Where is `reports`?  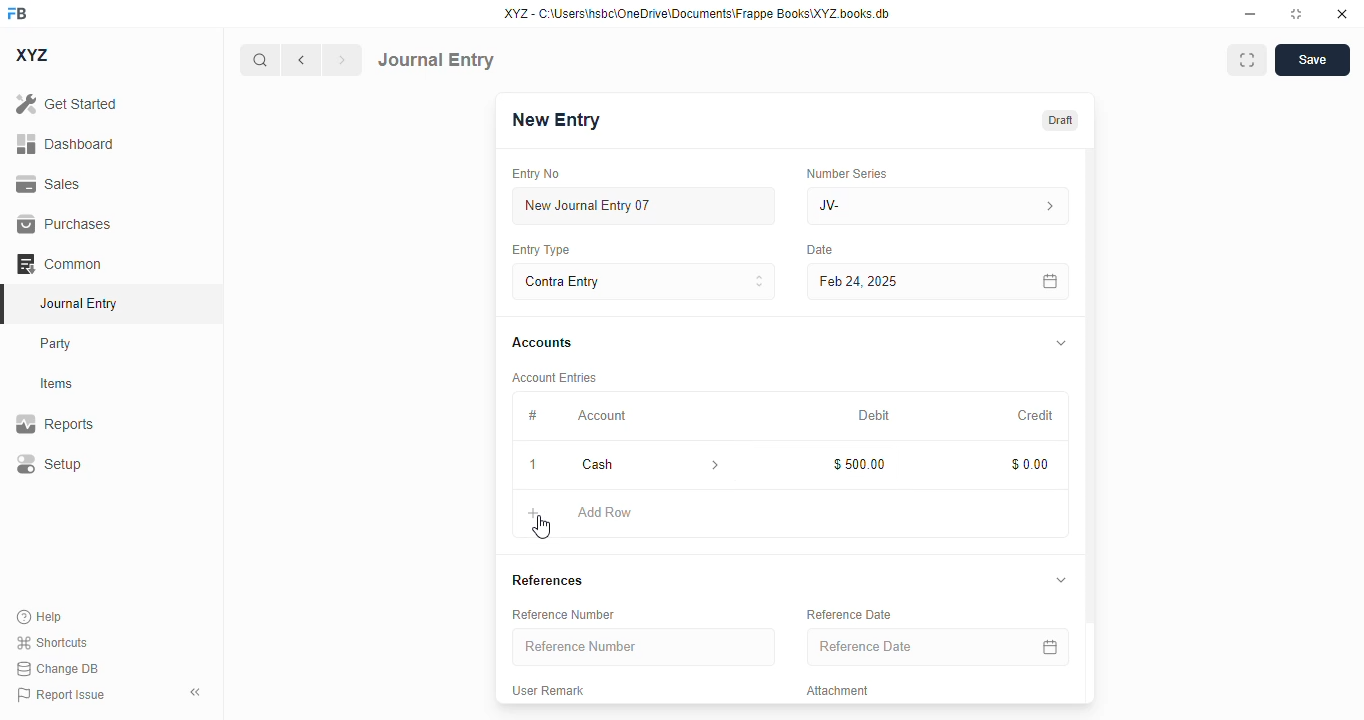 reports is located at coordinates (55, 423).